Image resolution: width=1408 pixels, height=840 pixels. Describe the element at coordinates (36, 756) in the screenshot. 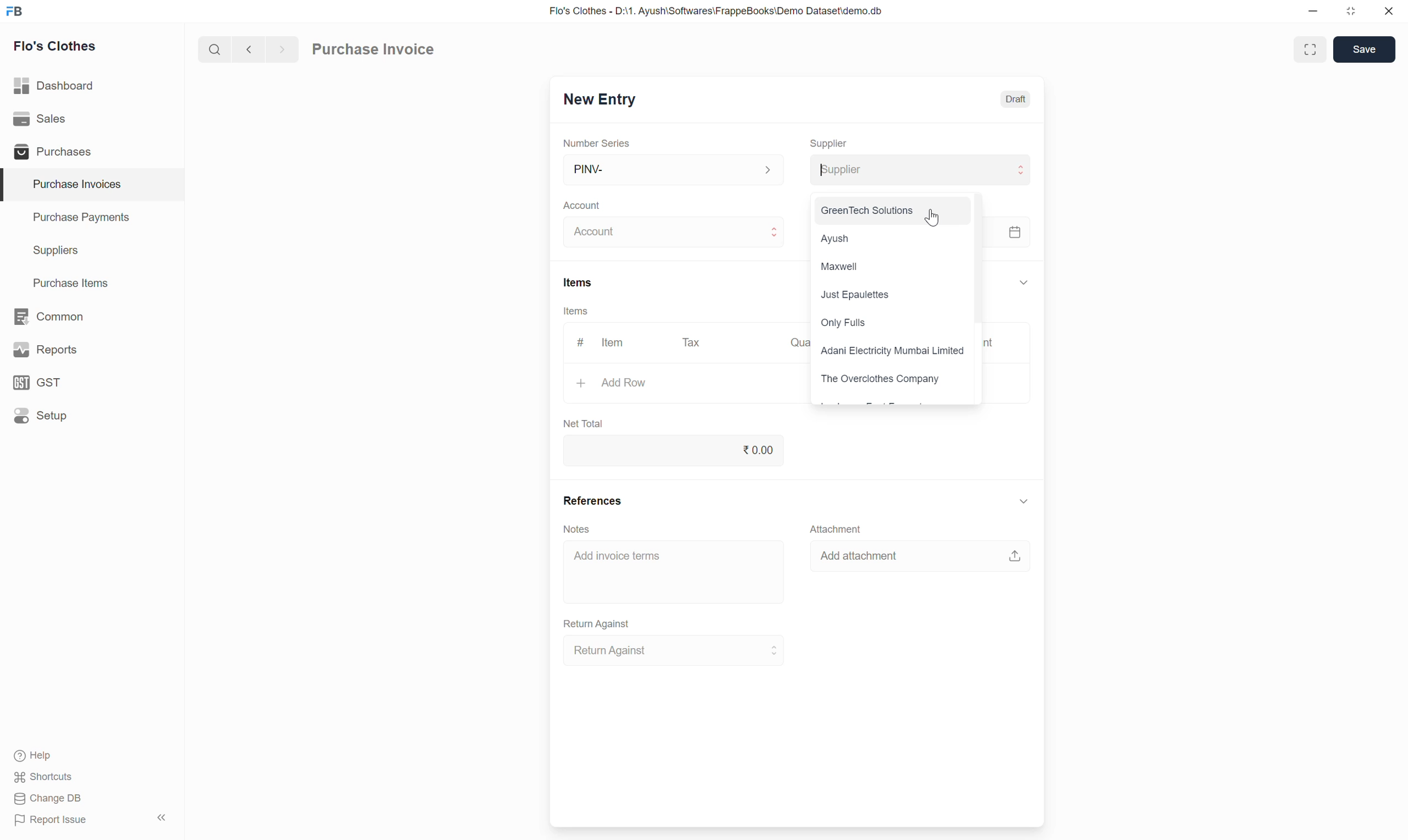

I see `Help` at that location.